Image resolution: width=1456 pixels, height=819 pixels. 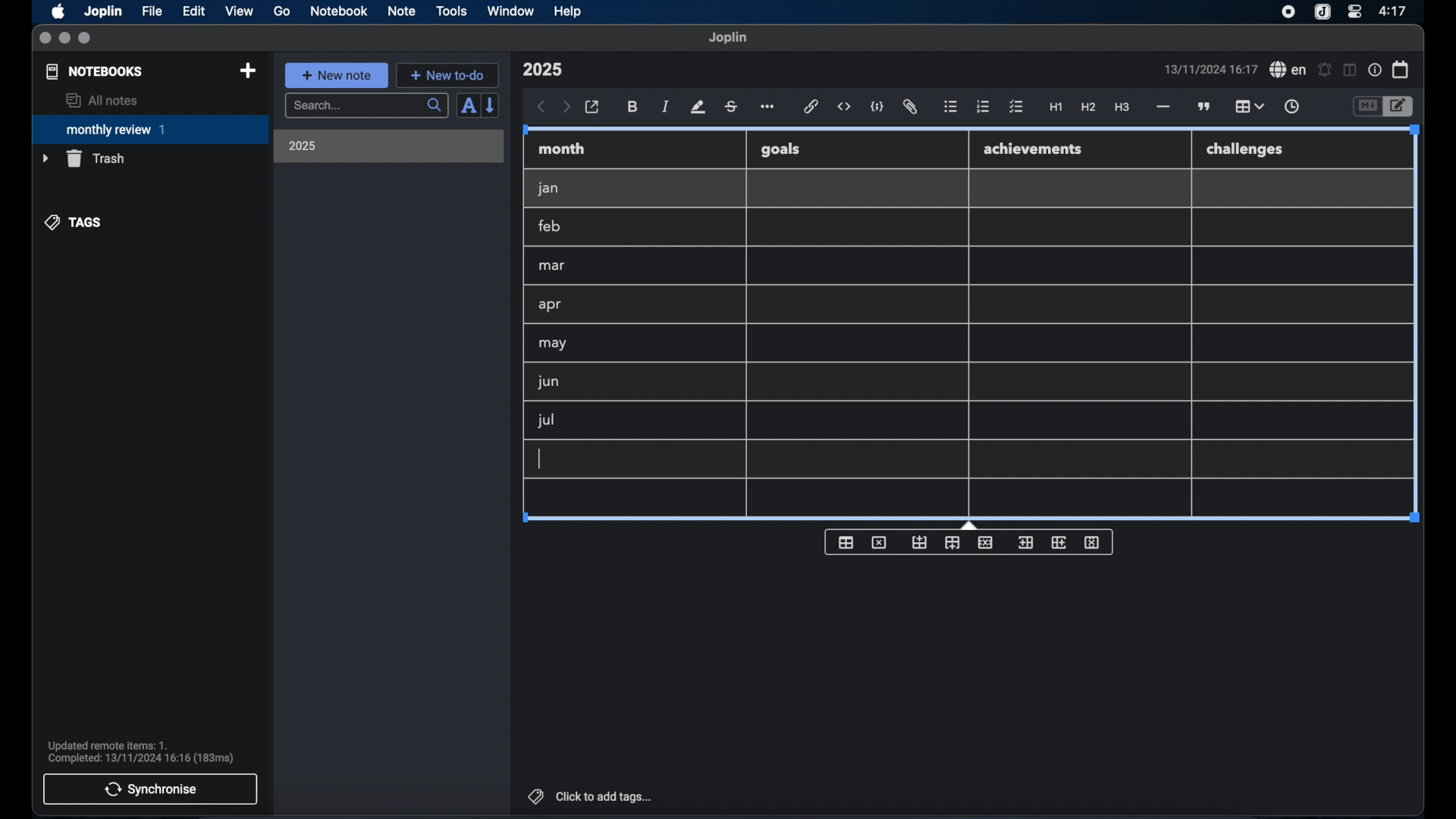 I want to click on screen recorder icon, so click(x=1288, y=12).